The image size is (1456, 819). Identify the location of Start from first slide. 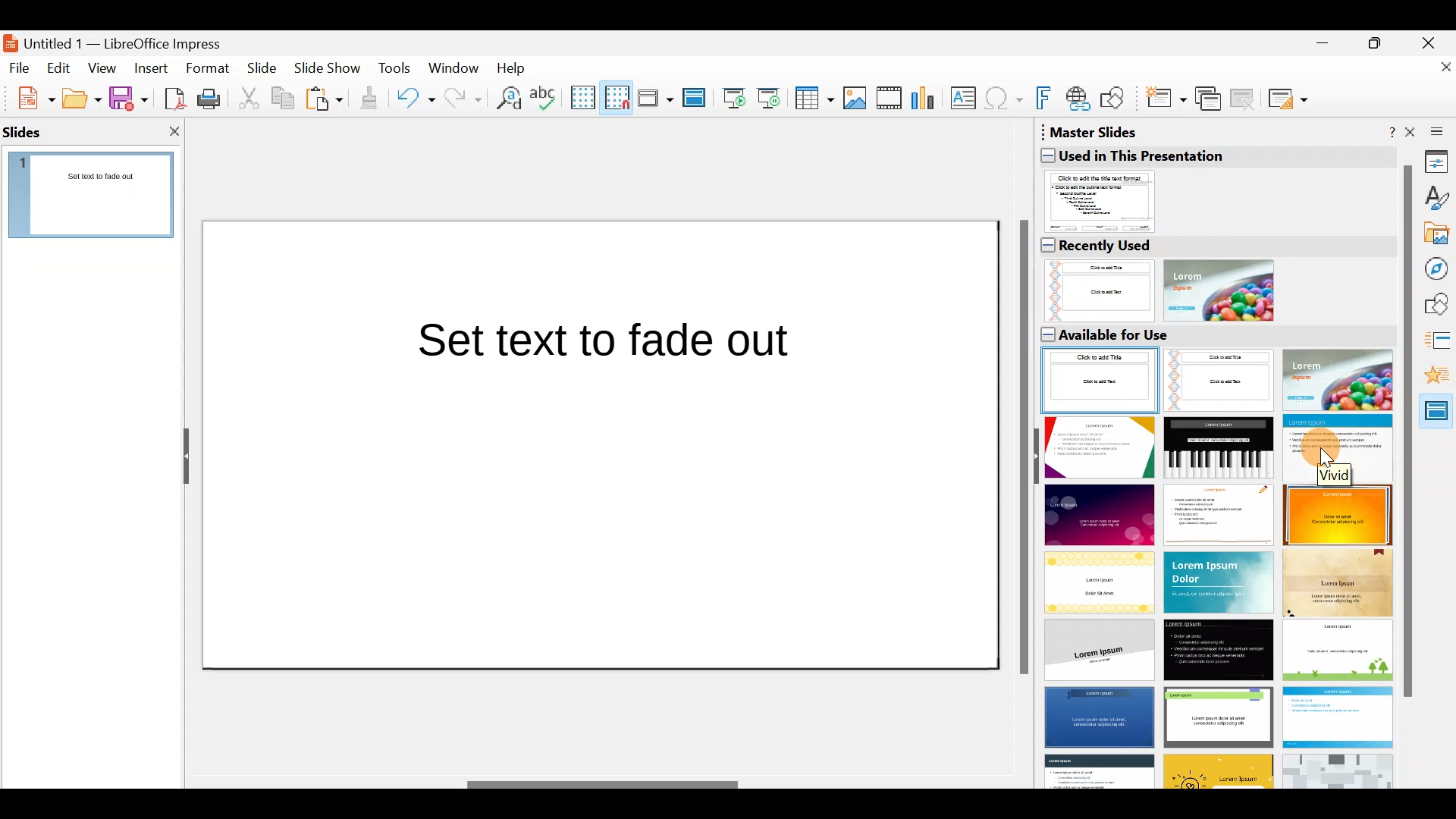
(734, 96).